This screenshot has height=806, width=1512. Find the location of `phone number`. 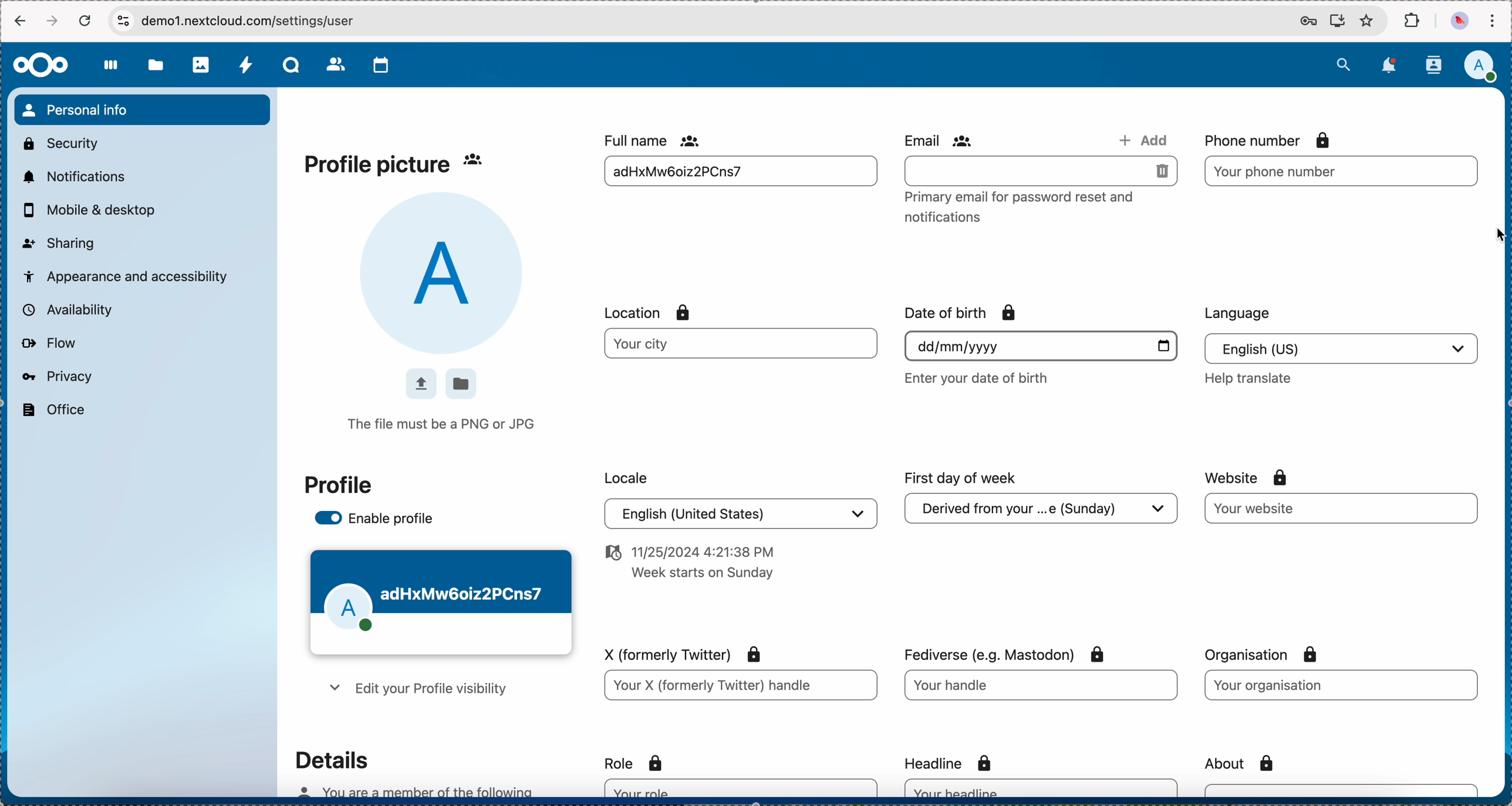

phone number is located at coordinates (1263, 140).